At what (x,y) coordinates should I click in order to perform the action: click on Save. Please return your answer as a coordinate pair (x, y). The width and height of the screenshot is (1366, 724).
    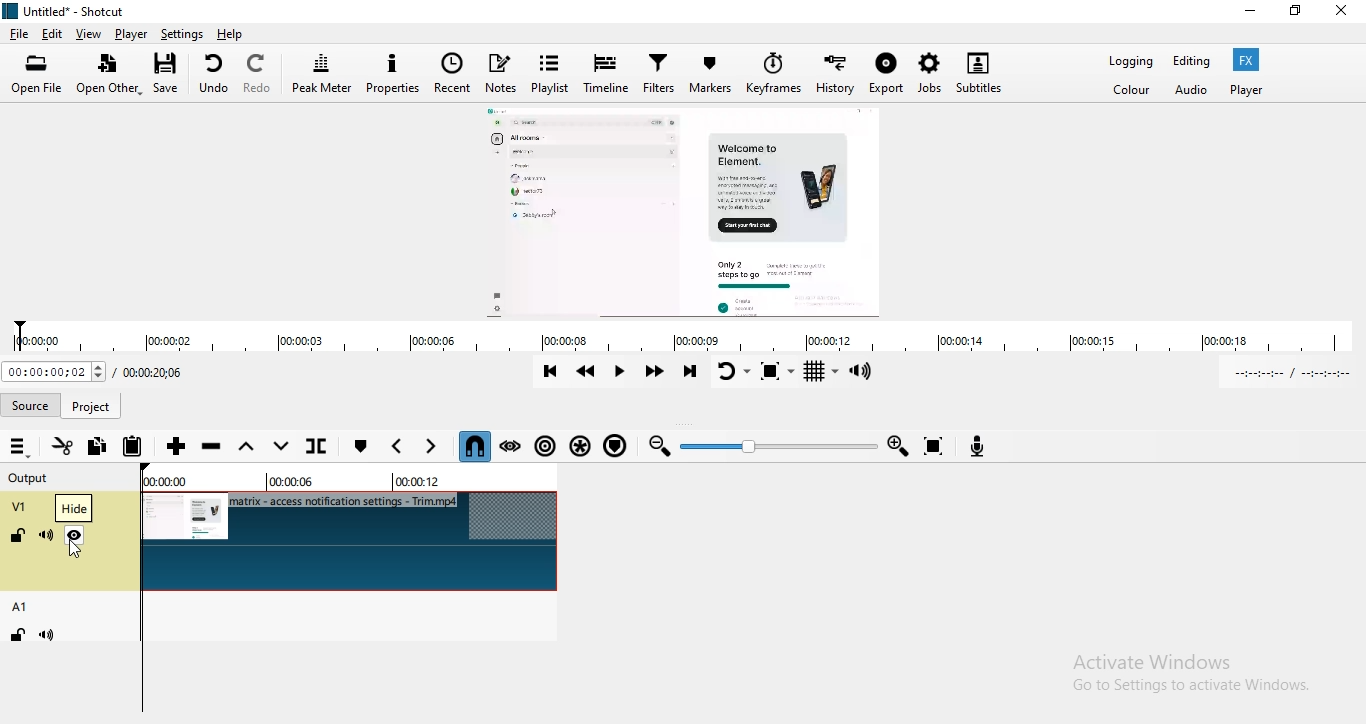
    Looking at the image, I should click on (170, 73).